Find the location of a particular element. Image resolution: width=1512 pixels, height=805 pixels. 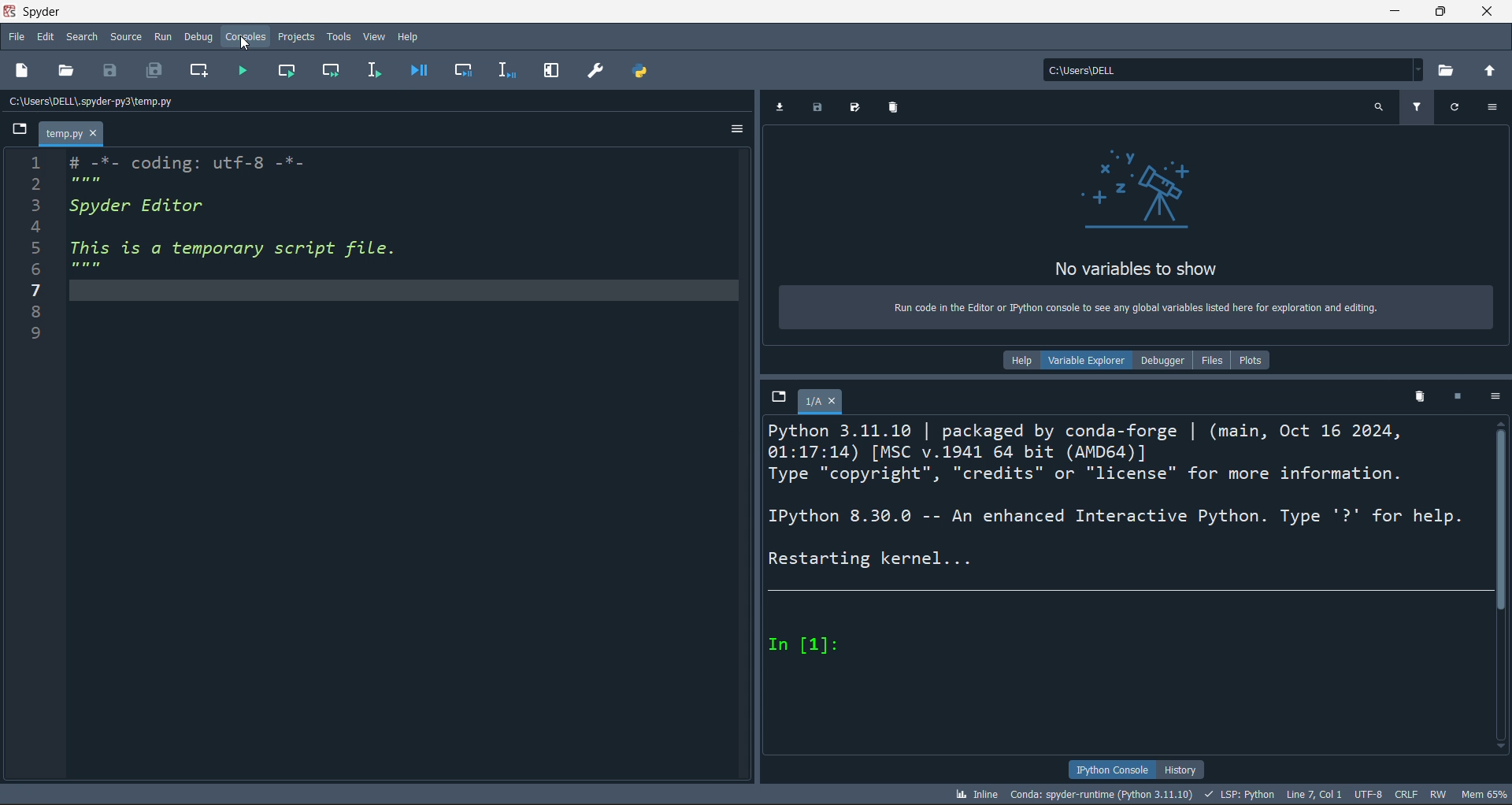

run is located at coordinates (163, 38).